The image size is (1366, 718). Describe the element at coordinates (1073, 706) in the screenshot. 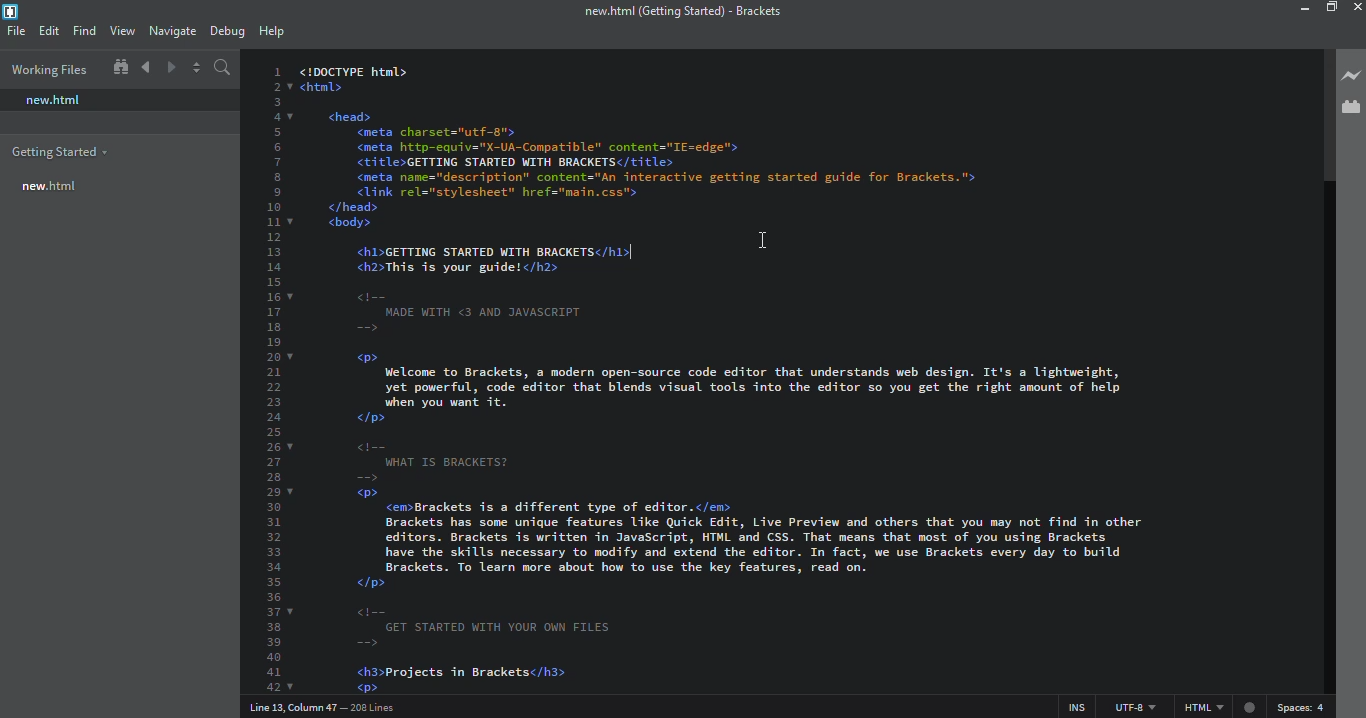

I see `ins` at that location.